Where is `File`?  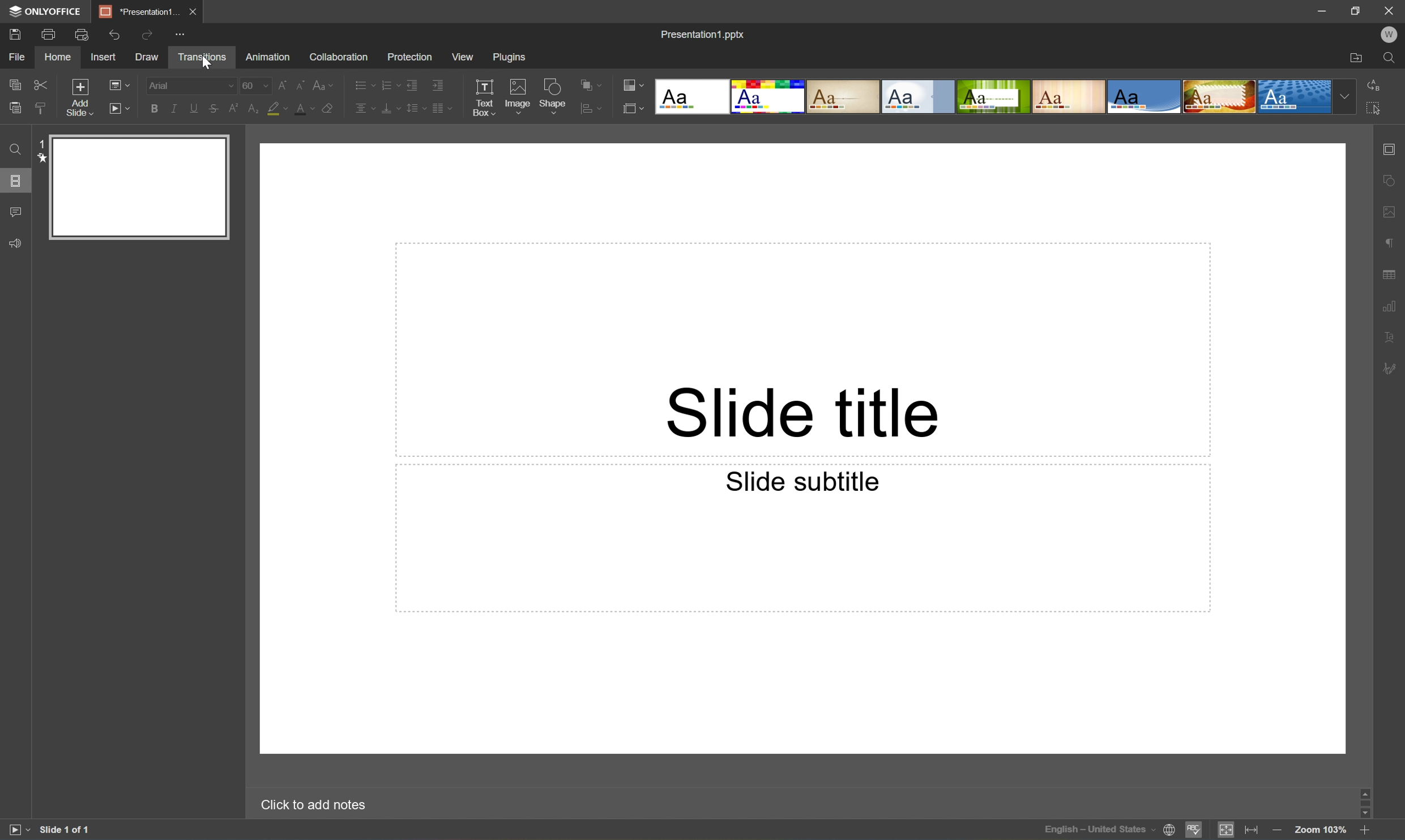
File is located at coordinates (15, 57).